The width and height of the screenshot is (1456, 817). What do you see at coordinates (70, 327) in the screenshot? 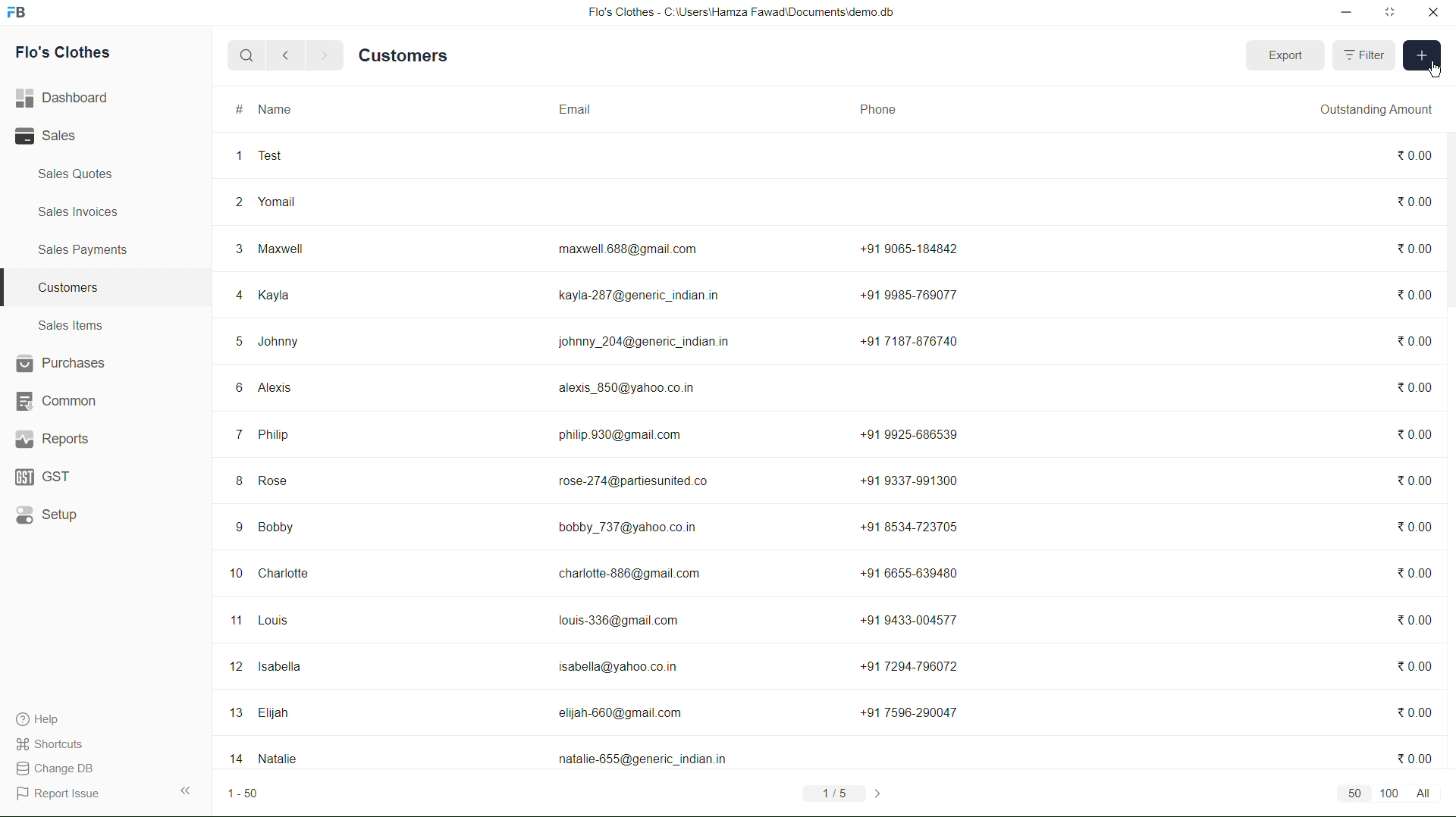
I see `Sales Items` at bounding box center [70, 327].